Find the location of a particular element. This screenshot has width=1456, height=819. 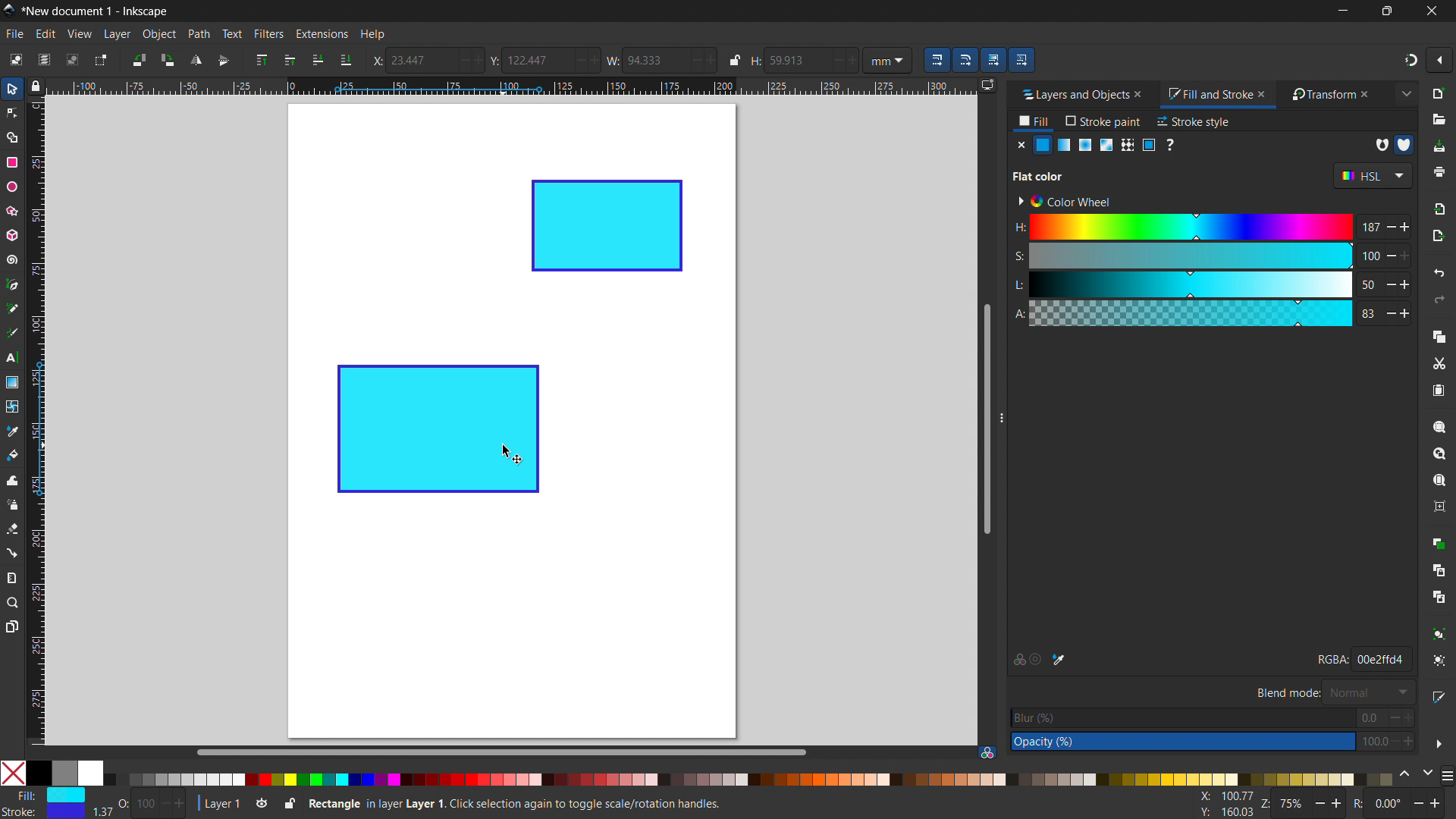

cursor is located at coordinates (512, 454).